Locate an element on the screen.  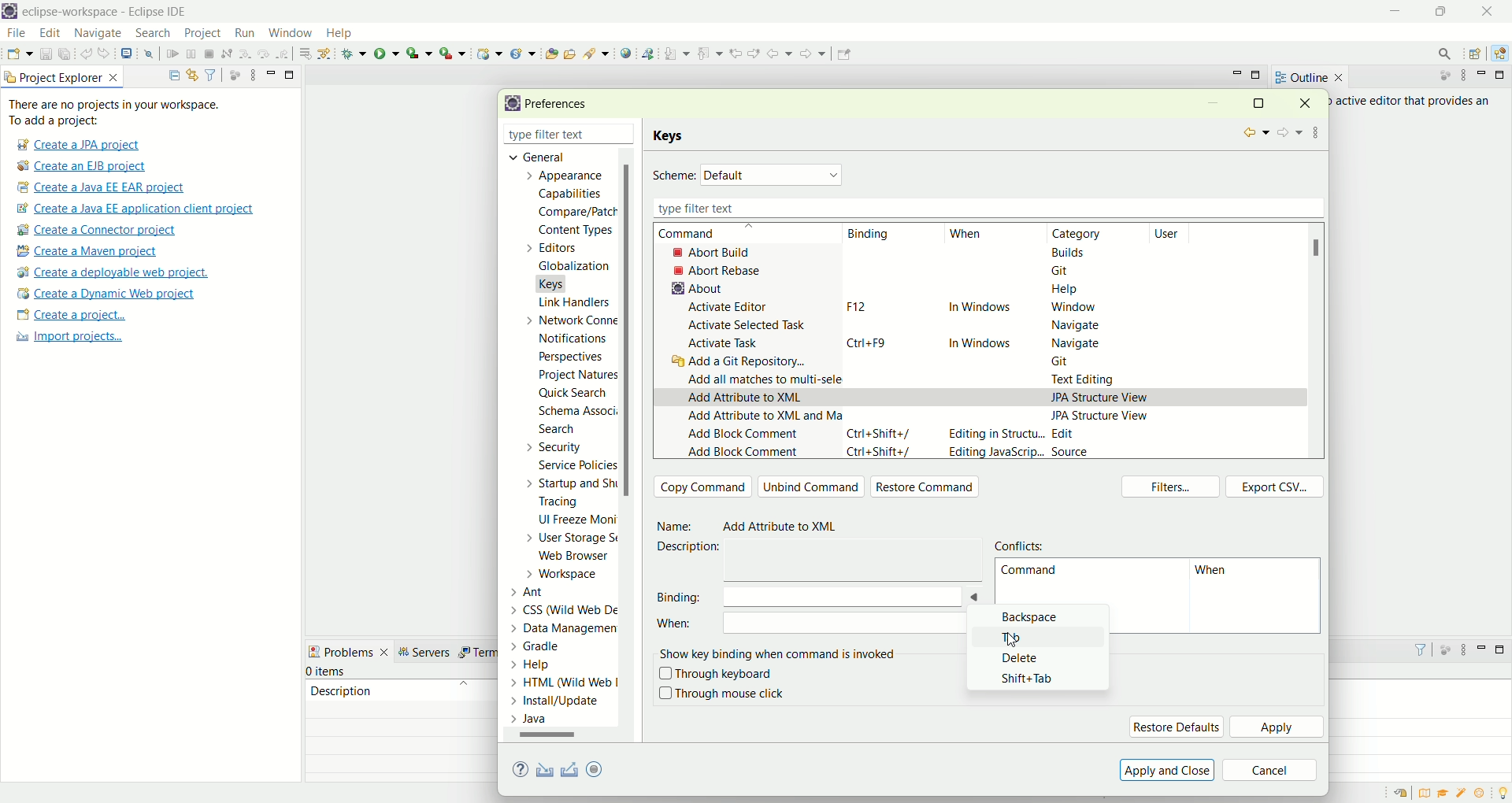
debug is located at coordinates (354, 54).